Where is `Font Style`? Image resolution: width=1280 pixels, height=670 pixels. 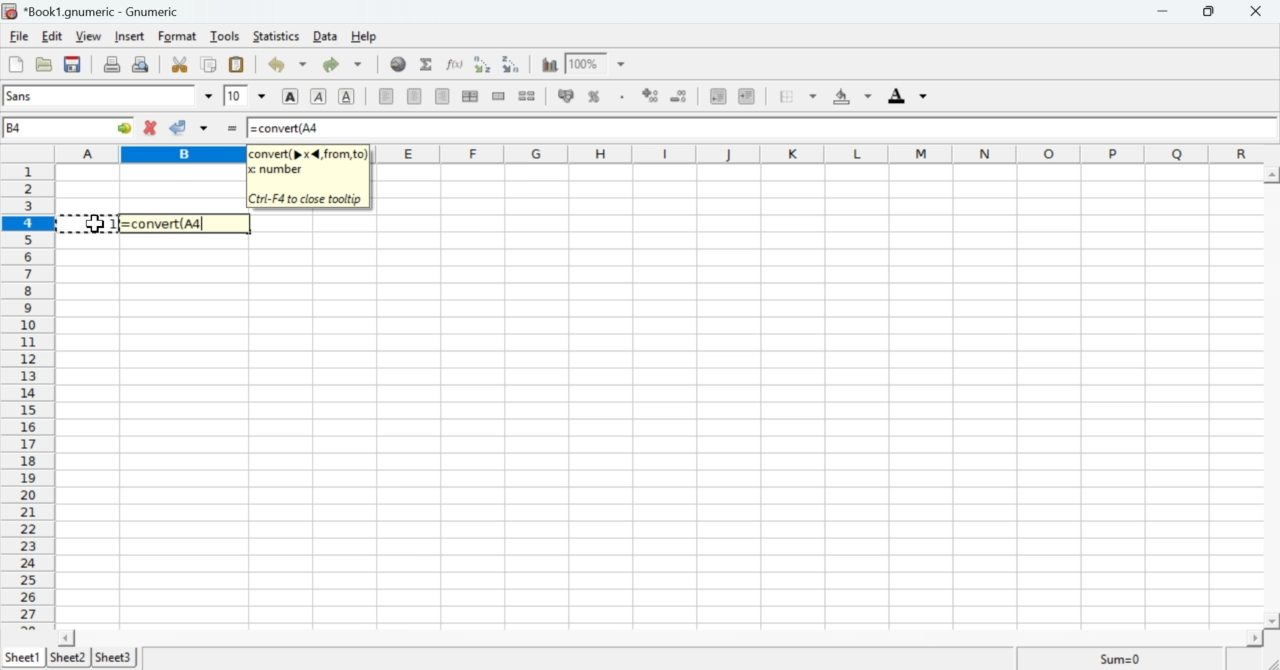 Font Style is located at coordinates (111, 96).